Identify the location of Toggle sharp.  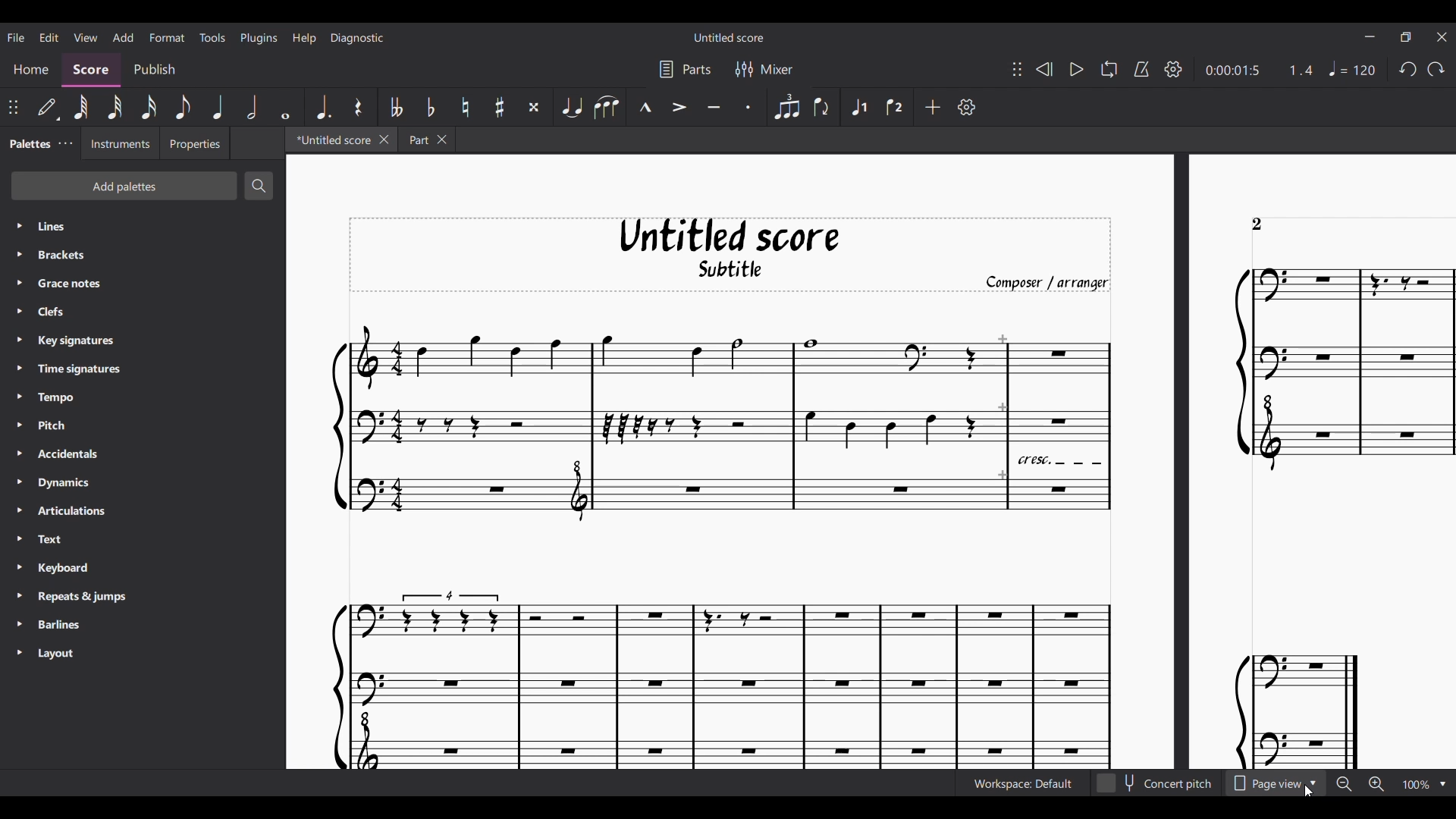
(500, 107).